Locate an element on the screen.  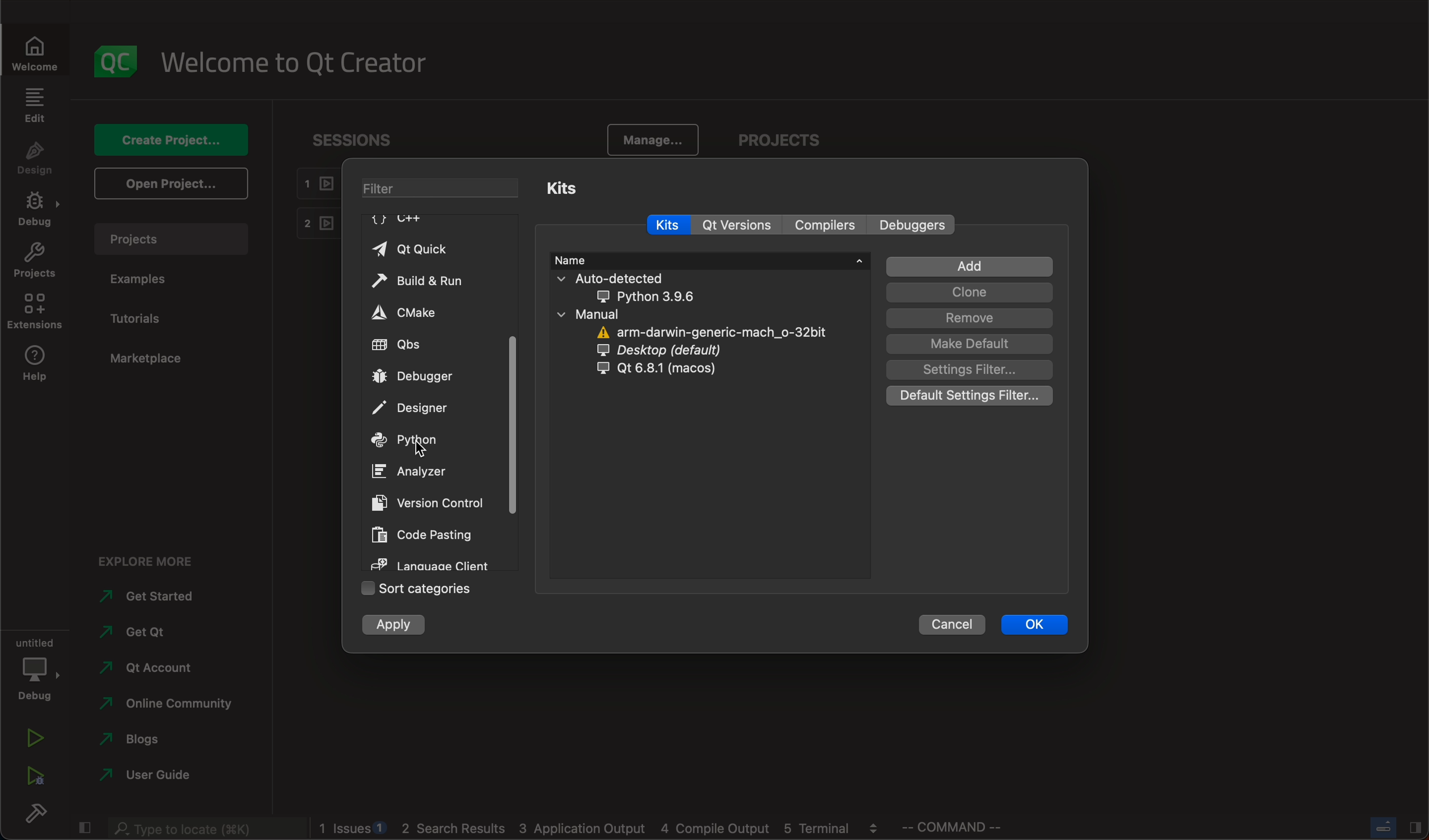
started is located at coordinates (154, 599).